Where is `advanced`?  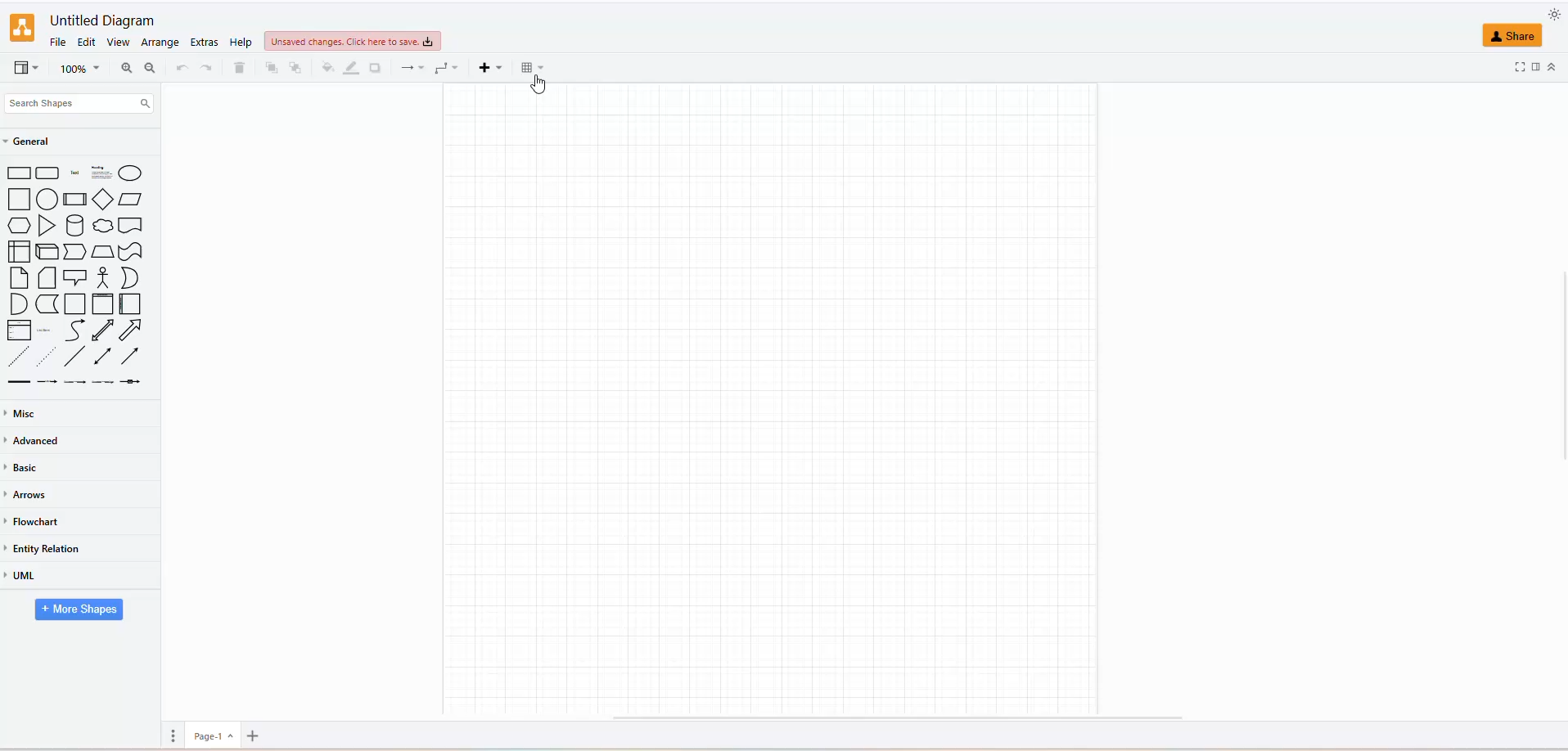 advanced is located at coordinates (36, 442).